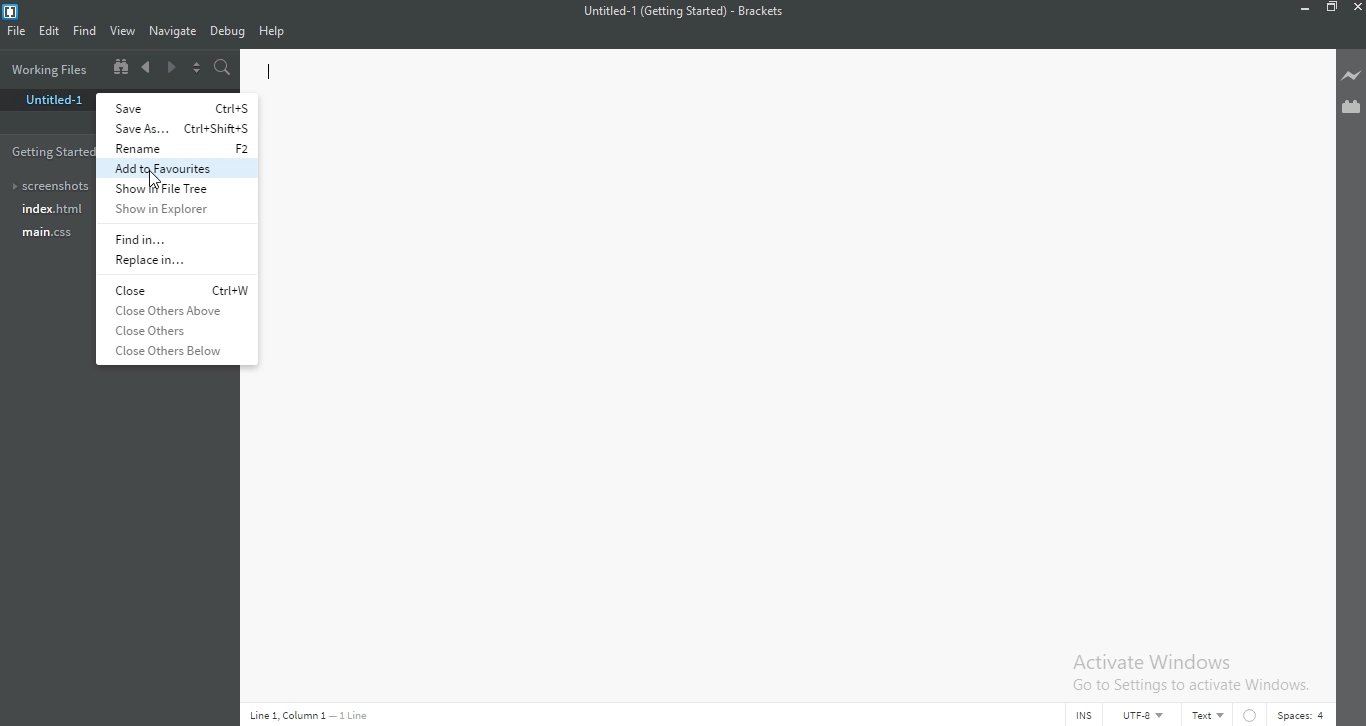 The width and height of the screenshot is (1366, 726). What do you see at coordinates (49, 70) in the screenshot?
I see `Working files` at bounding box center [49, 70].